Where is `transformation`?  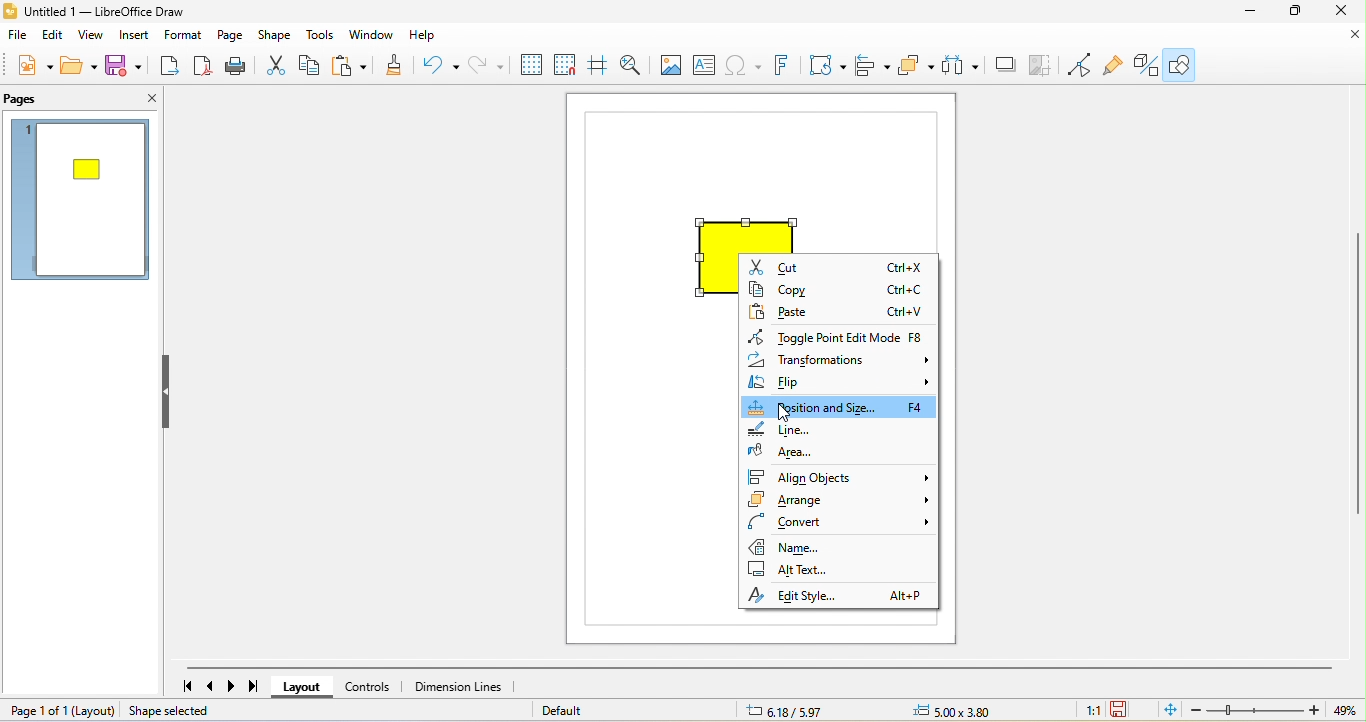 transformation is located at coordinates (824, 64).